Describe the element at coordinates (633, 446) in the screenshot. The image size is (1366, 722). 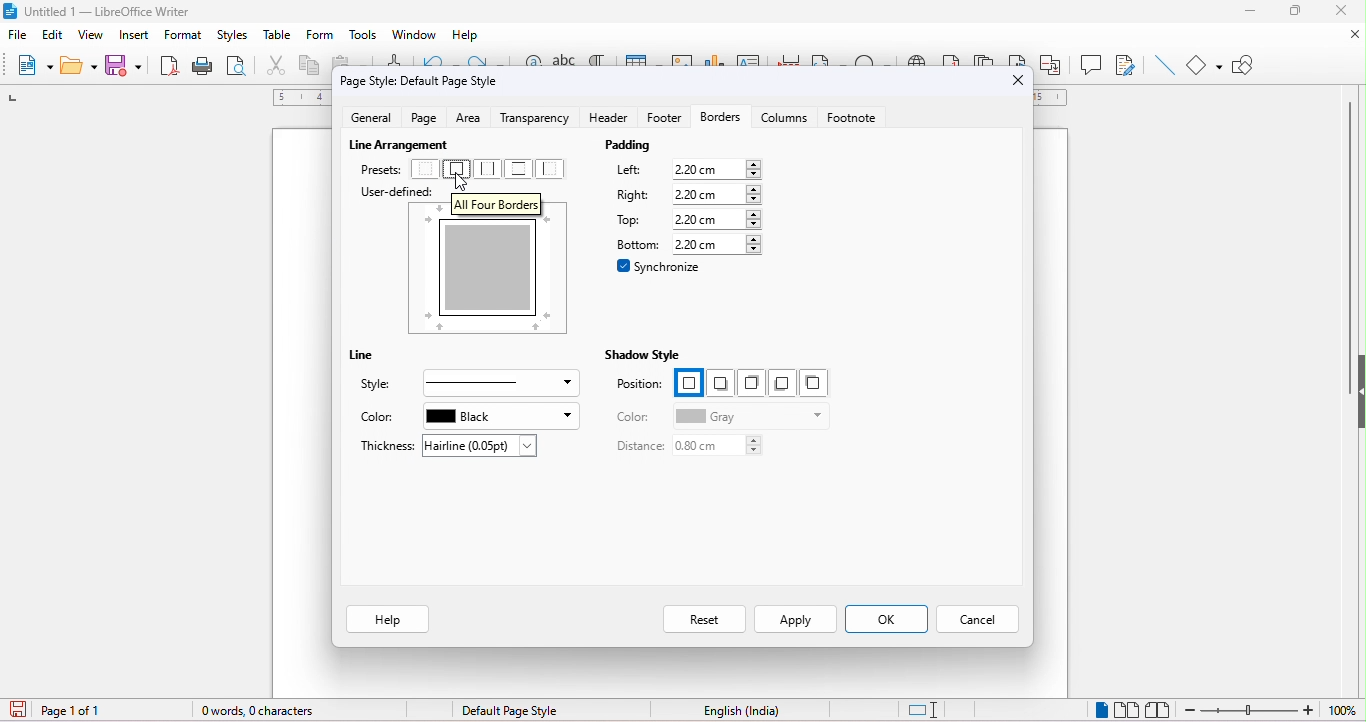
I see `distance` at that location.